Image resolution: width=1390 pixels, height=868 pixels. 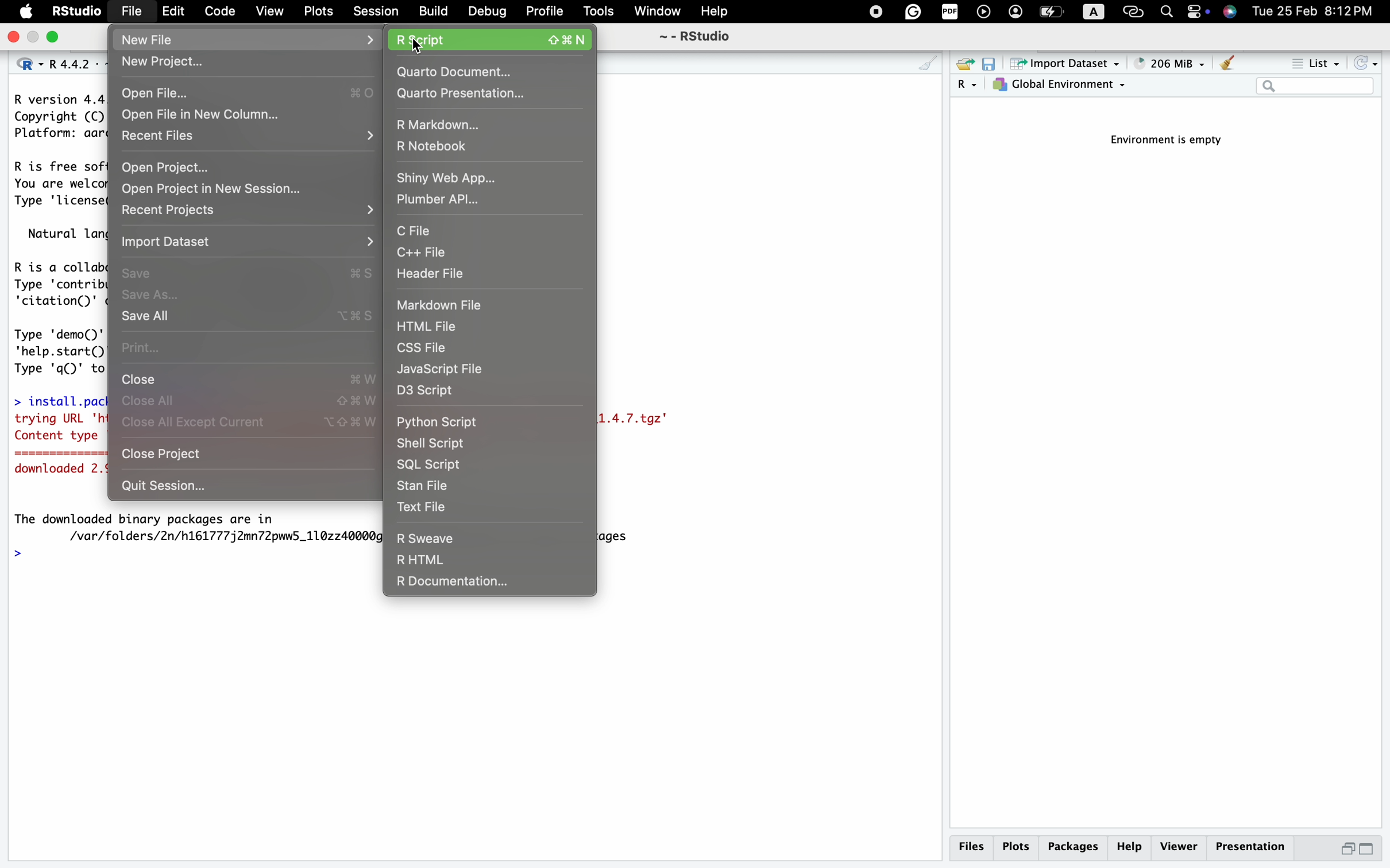 What do you see at coordinates (269, 12) in the screenshot?
I see `View` at bounding box center [269, 12].